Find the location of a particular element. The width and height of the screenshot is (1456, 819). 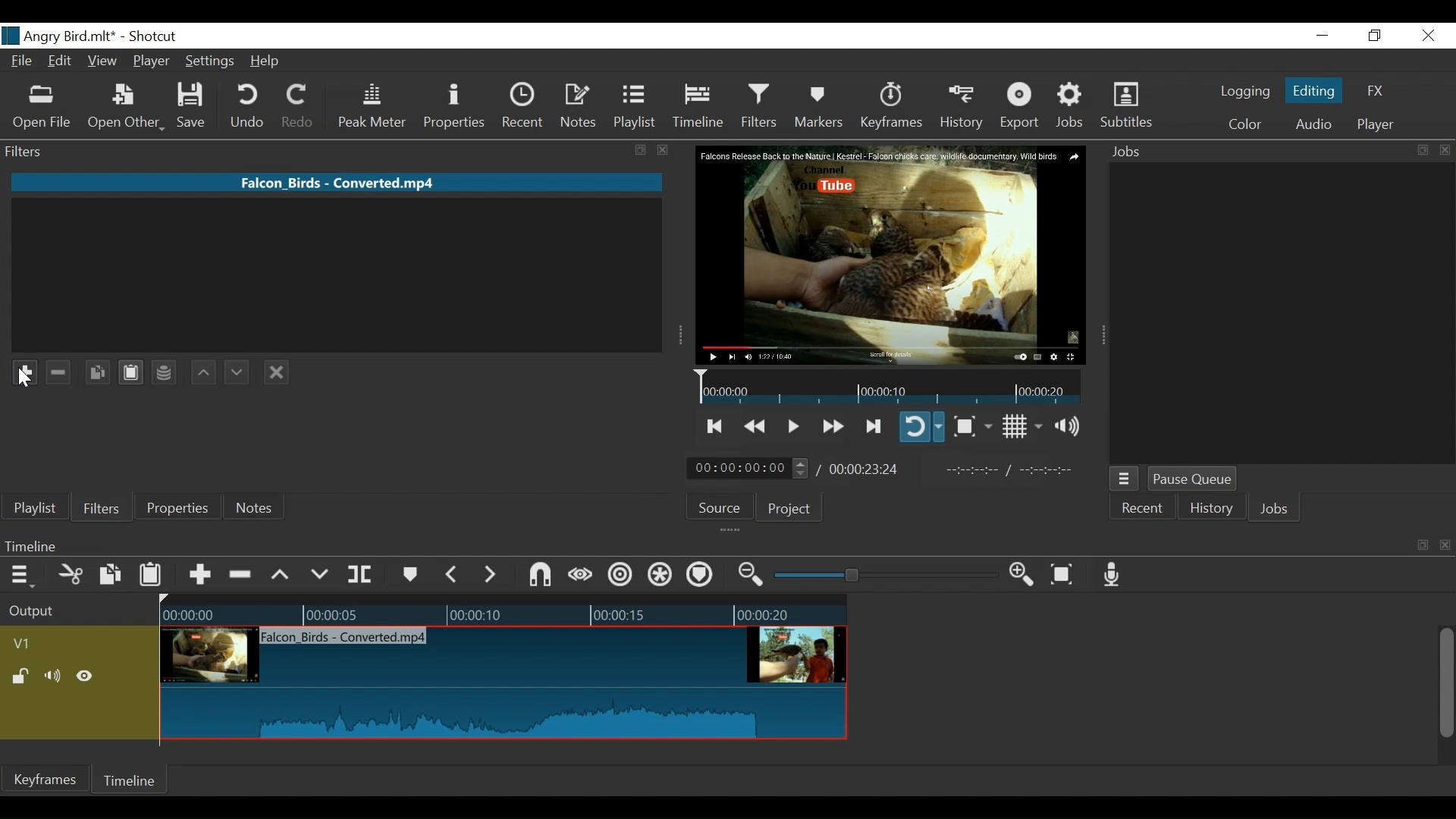

Jobs is located at coordinates (1071, 106).